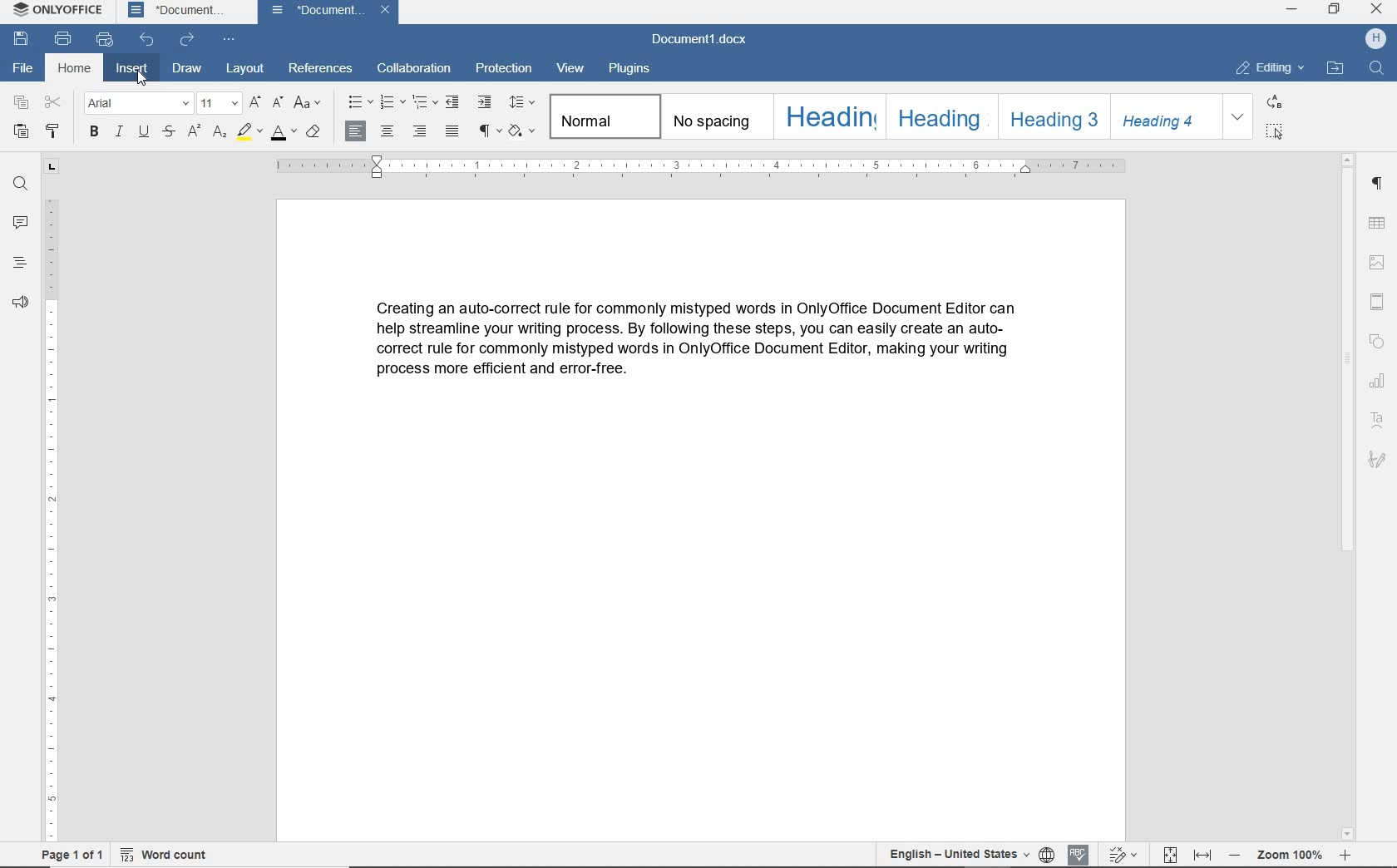 The height and width of the screenshot is (868, 1397). What do you see at coordinates (455, 103) in the screenshot?
I see `decrease indent` at bounding box center [455, 103].